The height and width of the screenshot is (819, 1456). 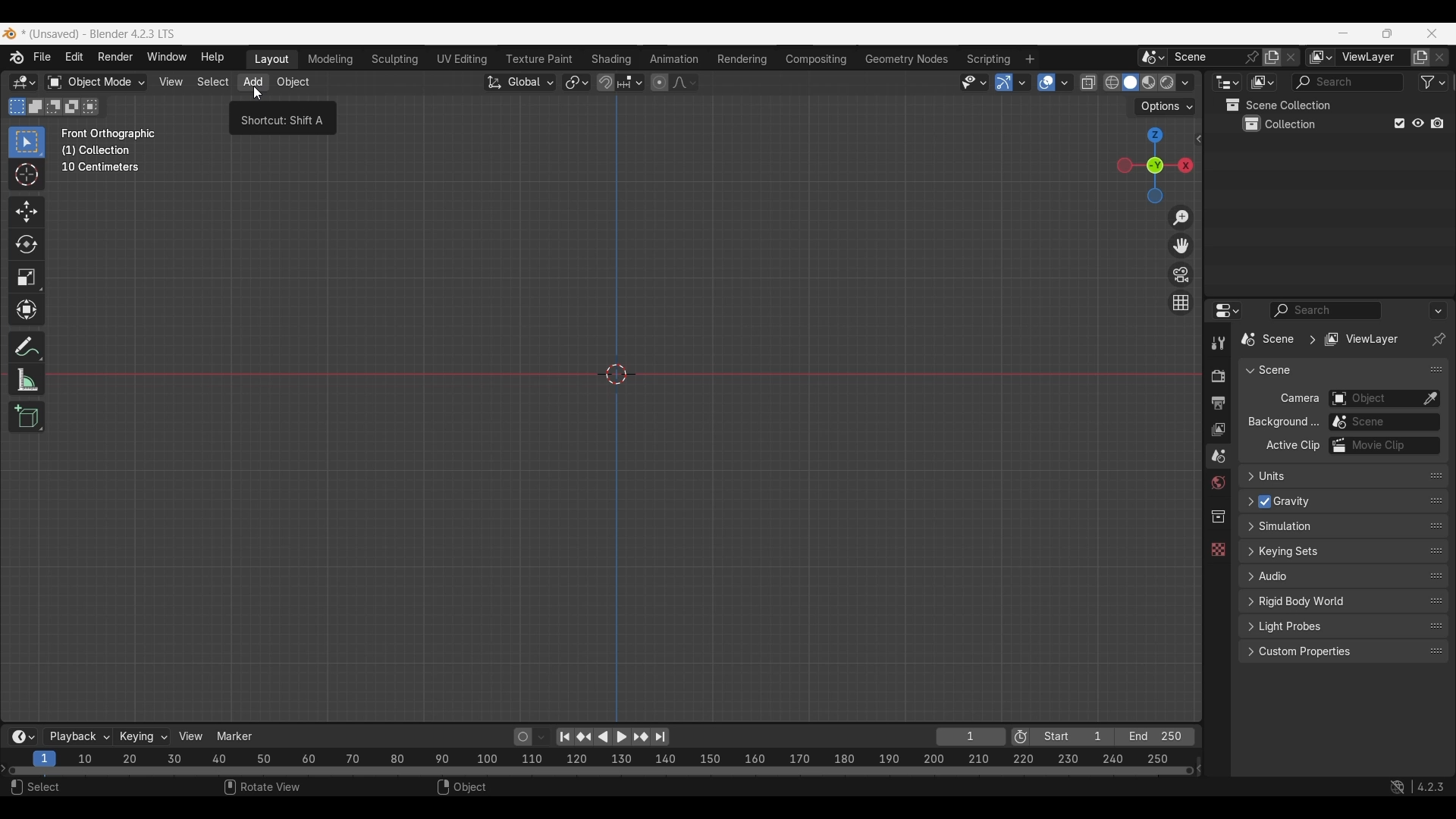 What do you see at coordinates (1064, 83) in the screenshot?
I see `Overlays` at bounding box center [1064, 83].